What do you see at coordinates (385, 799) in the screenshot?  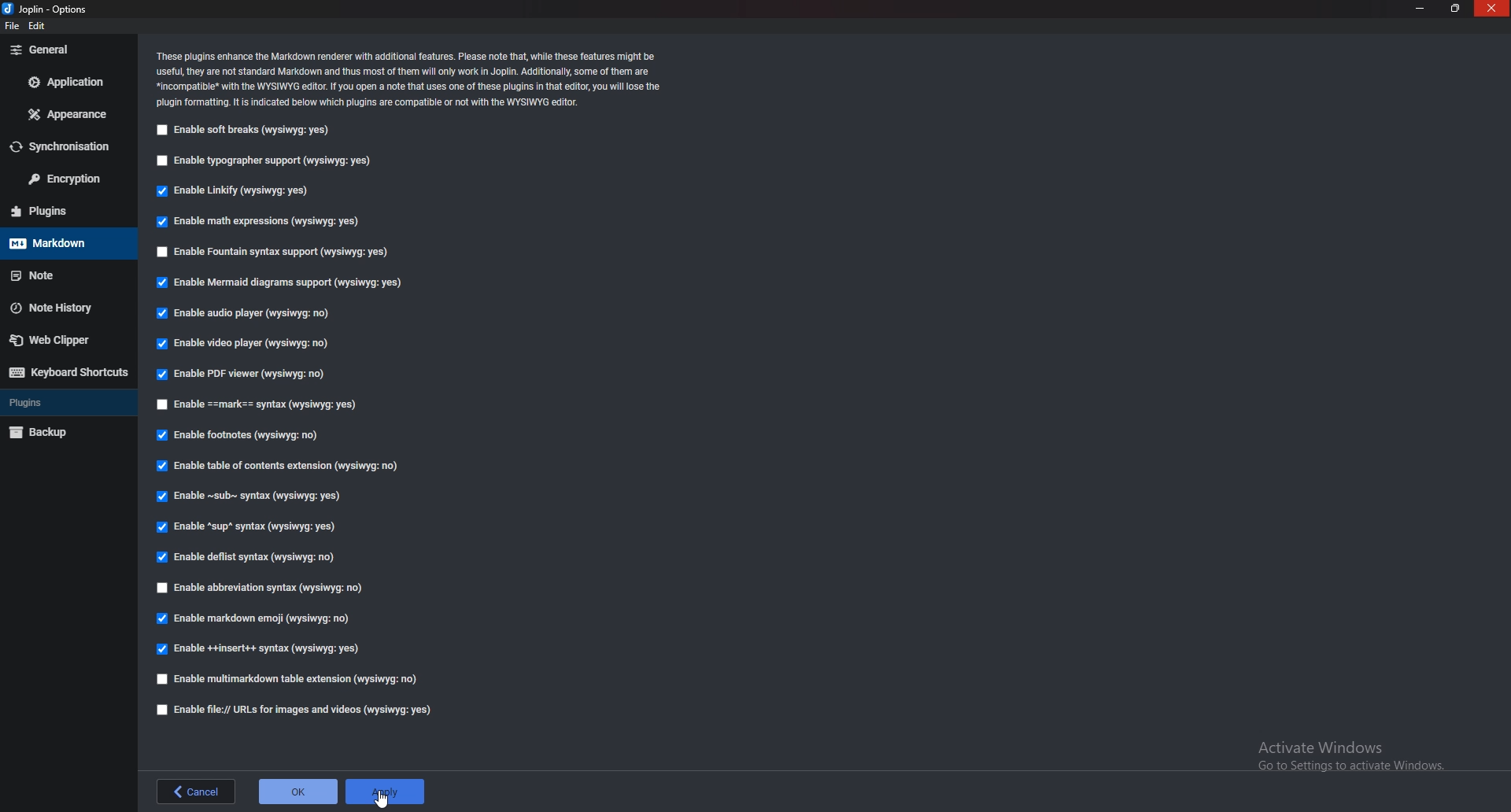 I see `cursor` at bounding box center [385, 799].